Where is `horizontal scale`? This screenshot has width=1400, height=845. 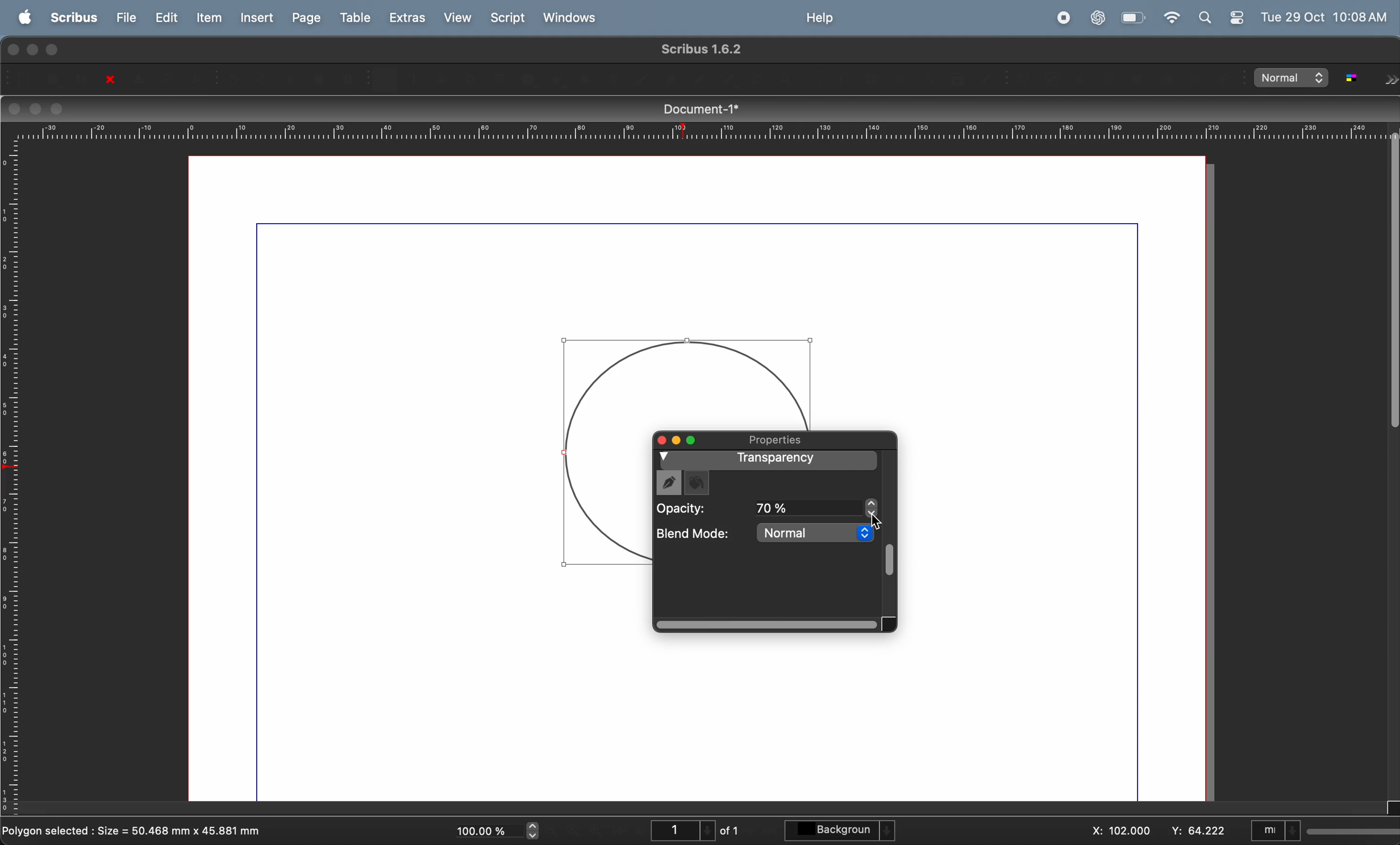 horizontal scale is located at coordinates (693, 131).